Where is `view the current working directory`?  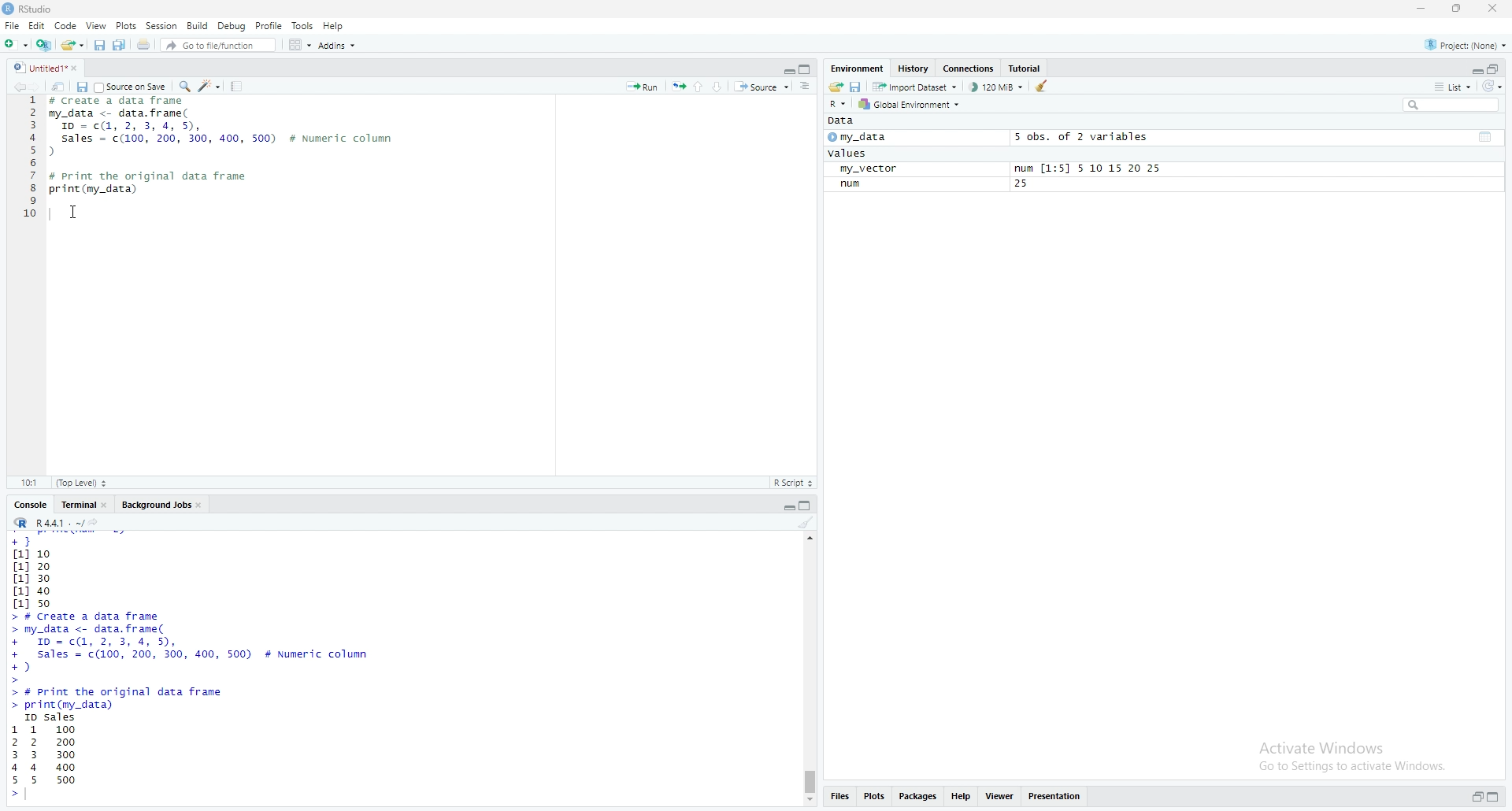 view the current working directory is located at coordinates (104, 524).